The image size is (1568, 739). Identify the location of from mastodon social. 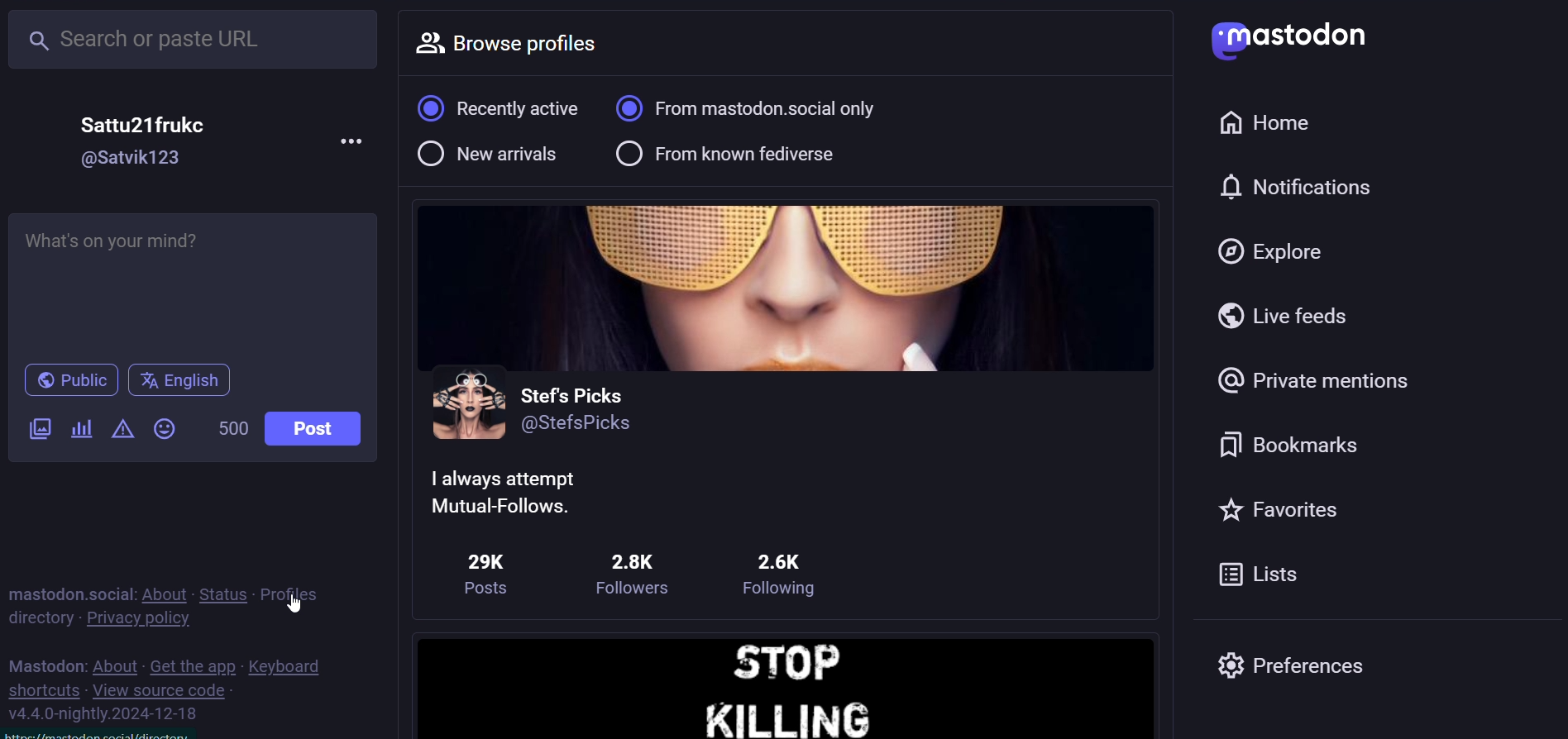
(758, 109).